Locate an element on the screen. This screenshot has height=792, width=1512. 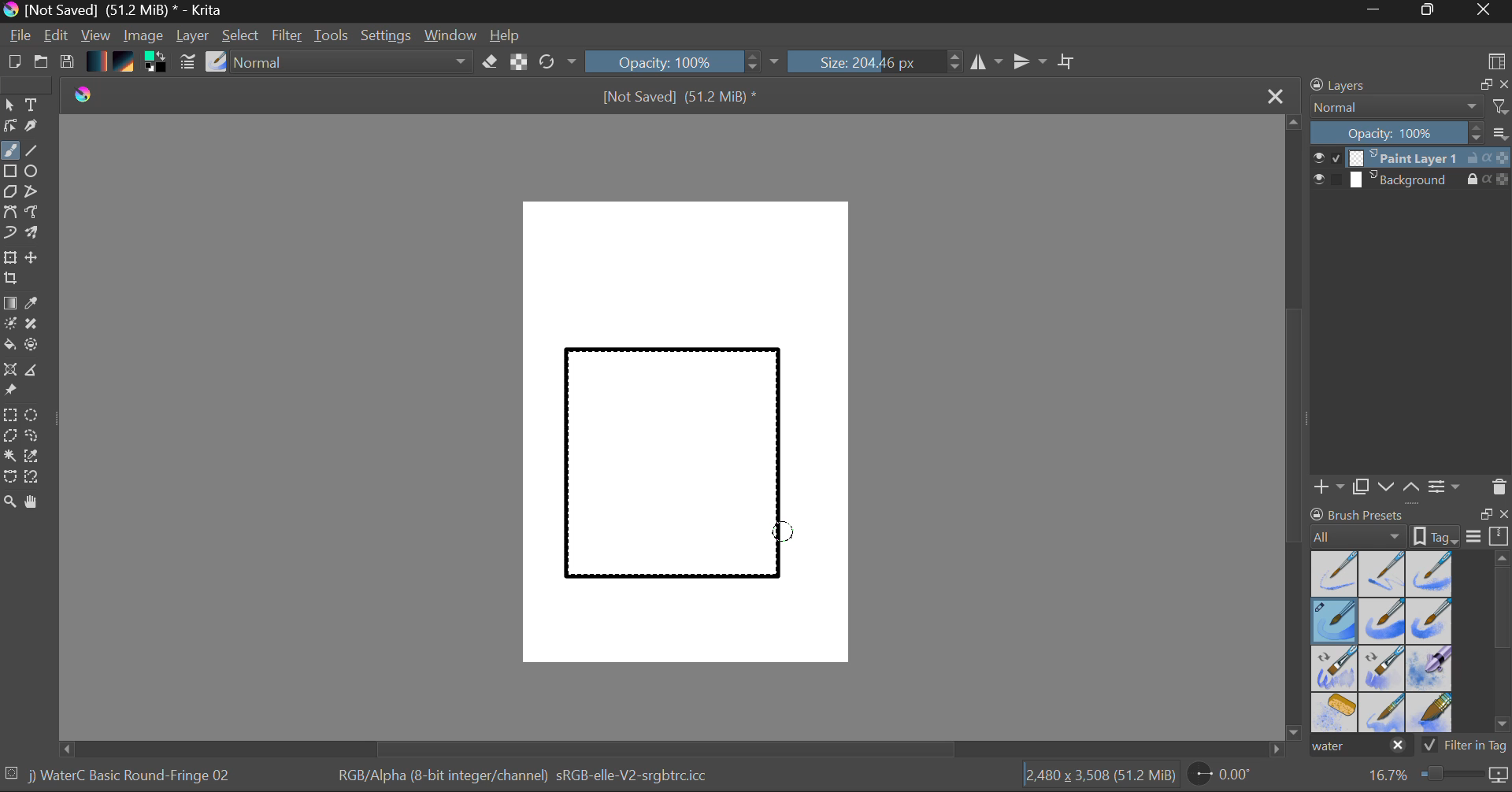
Move Layer Down is located at coordinates (1388, 487).